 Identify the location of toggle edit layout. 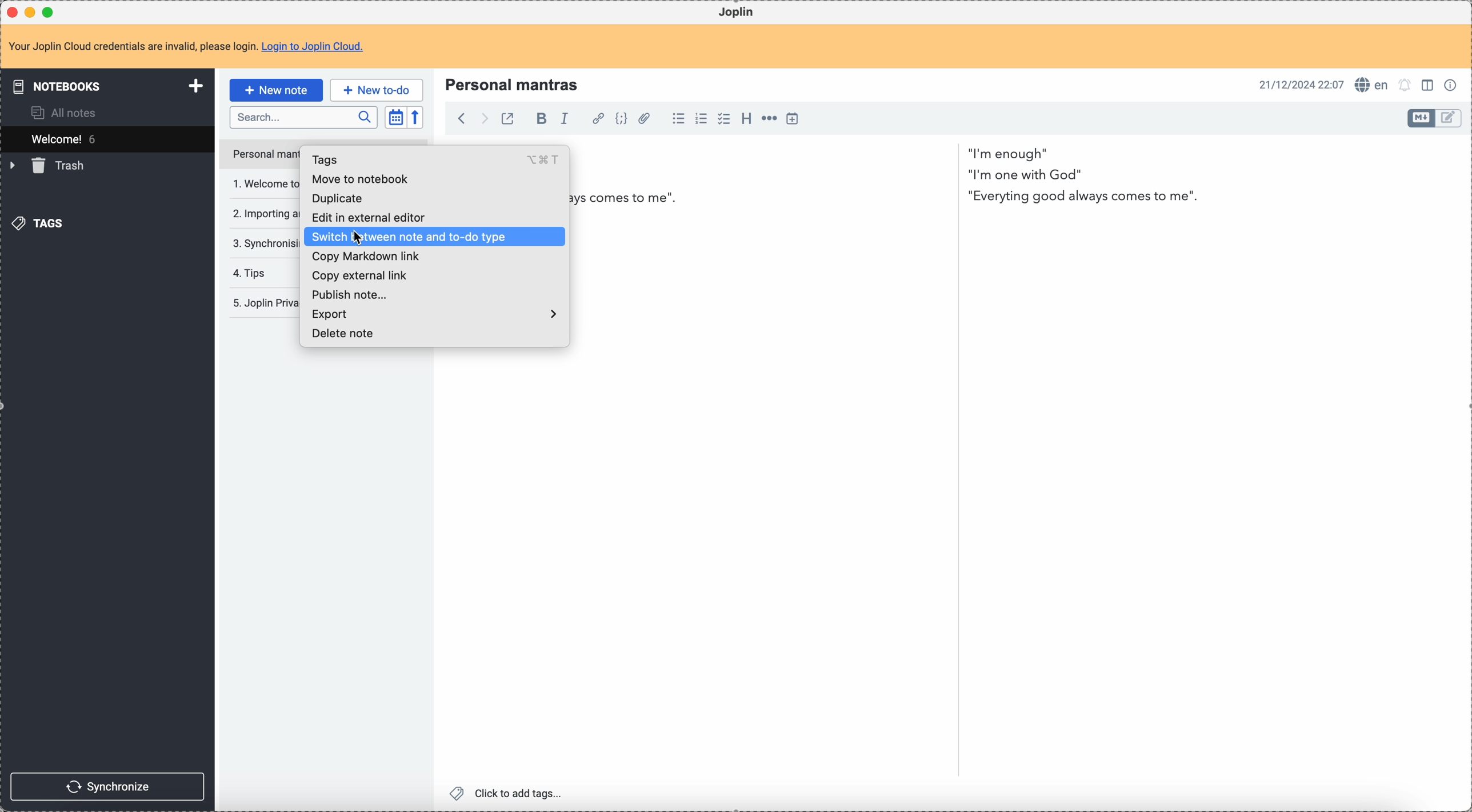
(1429, 85).